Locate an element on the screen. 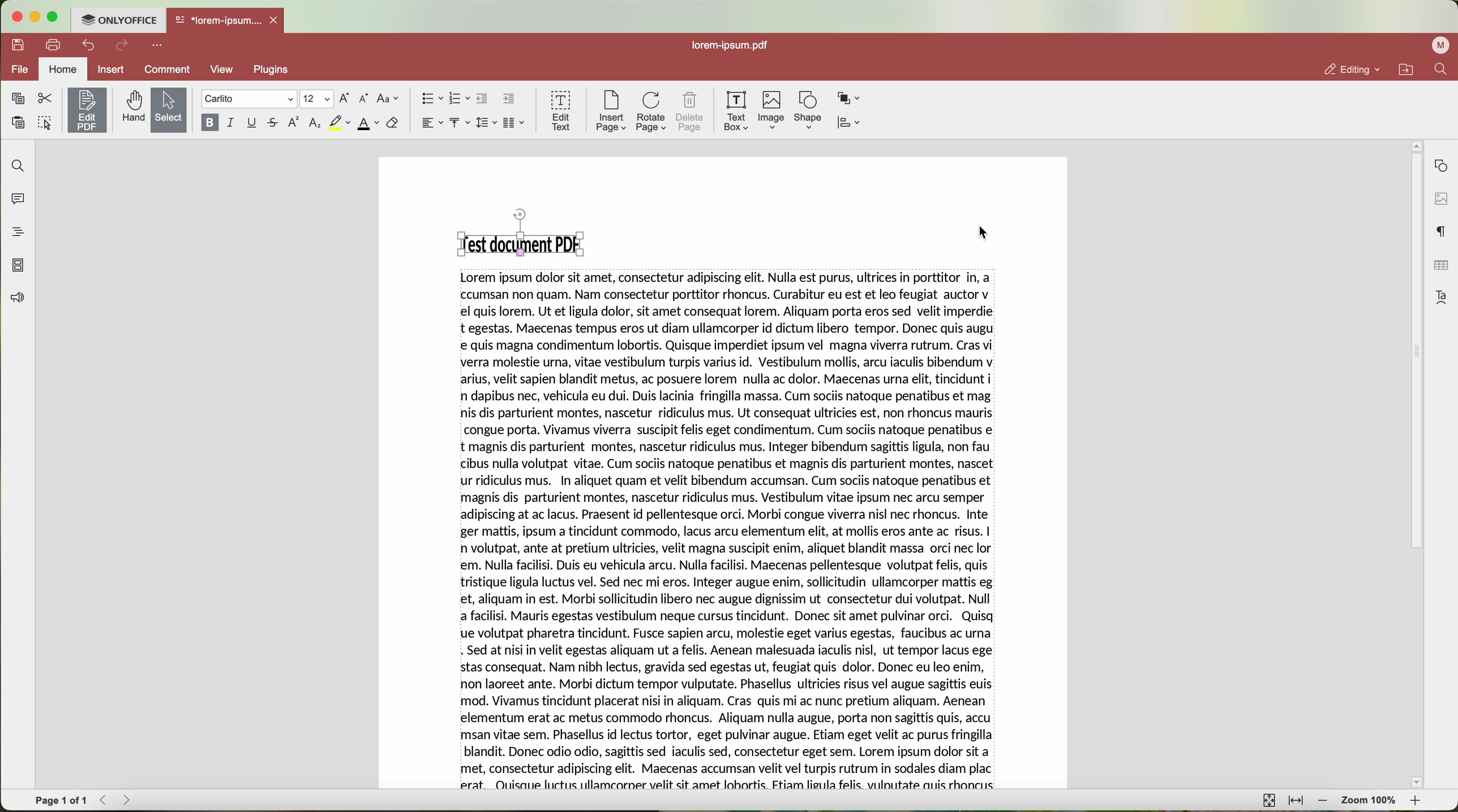 The image size is (1458, 812). highlight color is located at coordinates (339, 123).